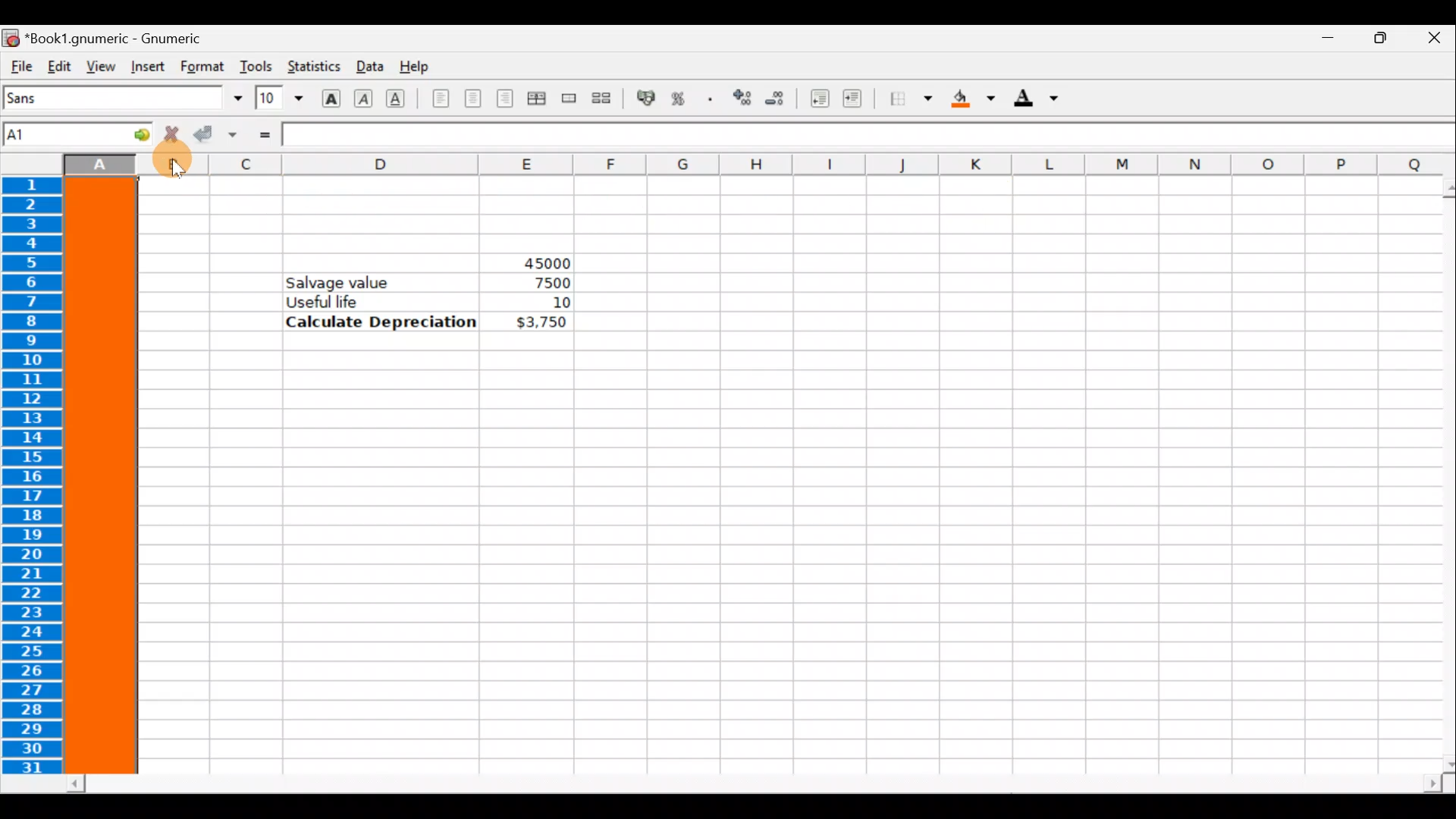  Describe the element at coordinates (331, 96) in the screenshot. I see `Bold` at that location.